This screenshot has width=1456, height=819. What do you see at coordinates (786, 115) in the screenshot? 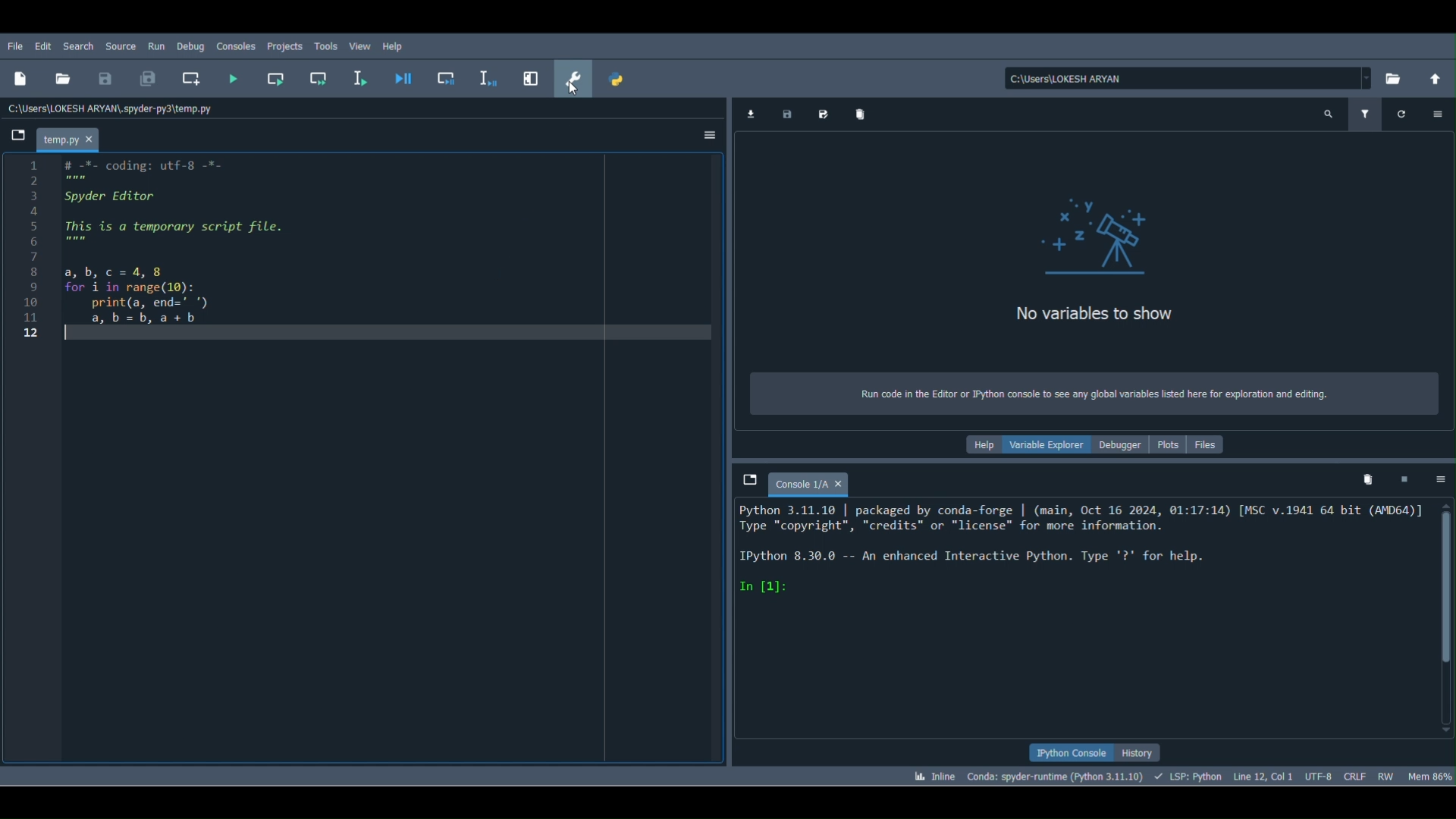
I see `Save data` at bounding box center [786, 115].